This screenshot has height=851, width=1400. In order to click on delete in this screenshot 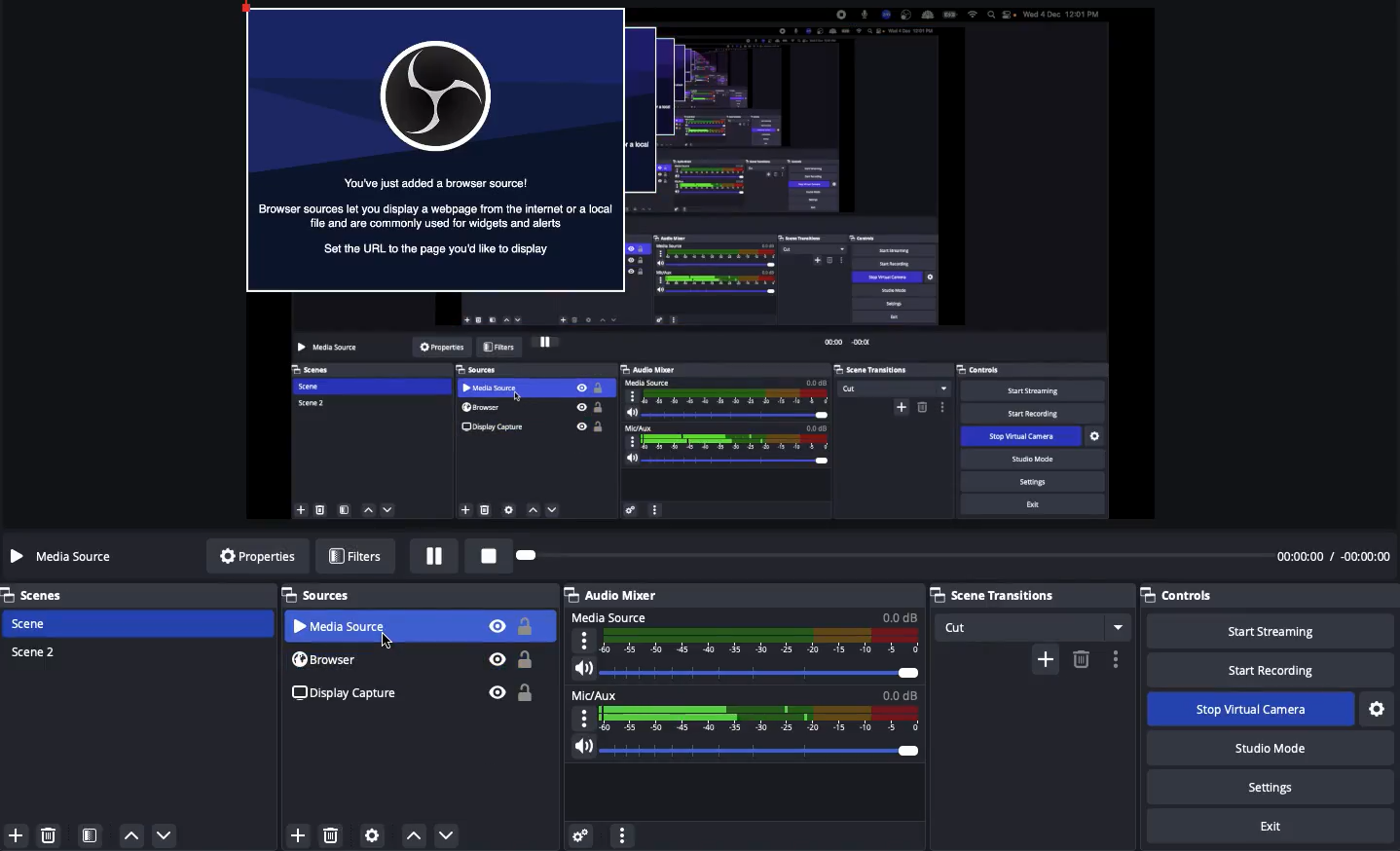, I will do `click(50, 835)`.